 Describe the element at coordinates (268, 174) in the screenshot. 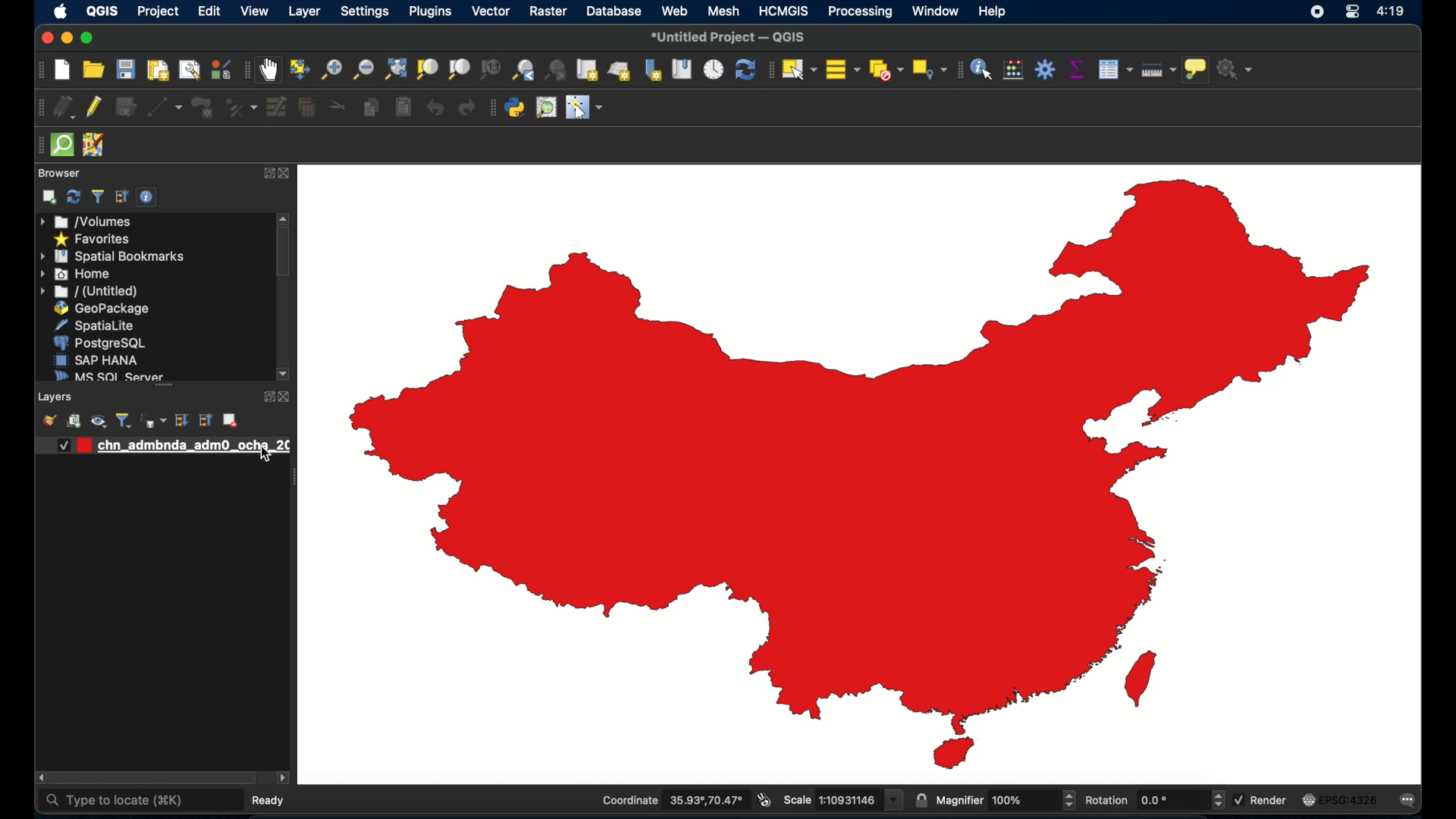

I see `expand` at that location.